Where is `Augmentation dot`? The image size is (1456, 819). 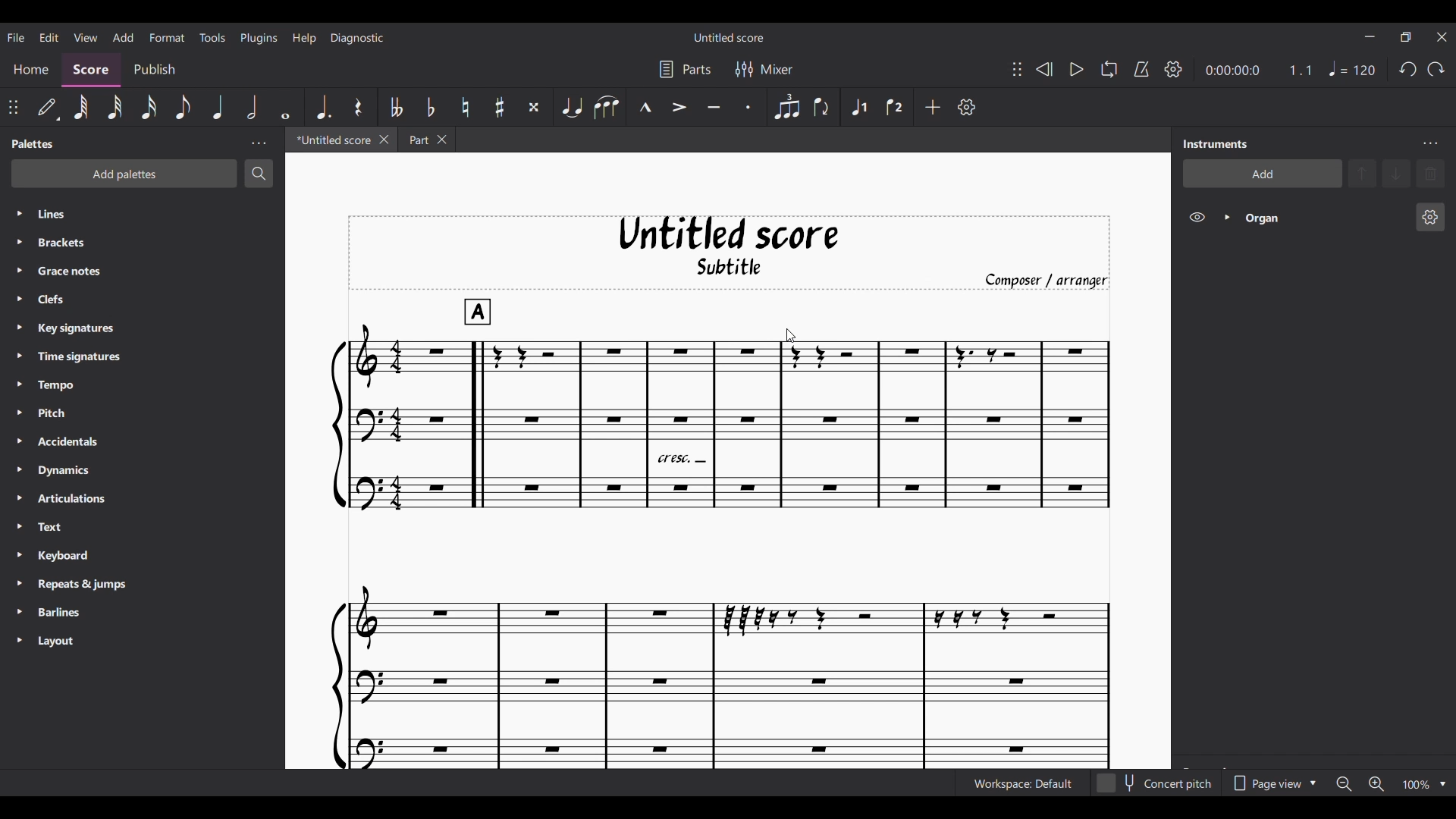 Augmentation dot is located at coordinates (323, 106).